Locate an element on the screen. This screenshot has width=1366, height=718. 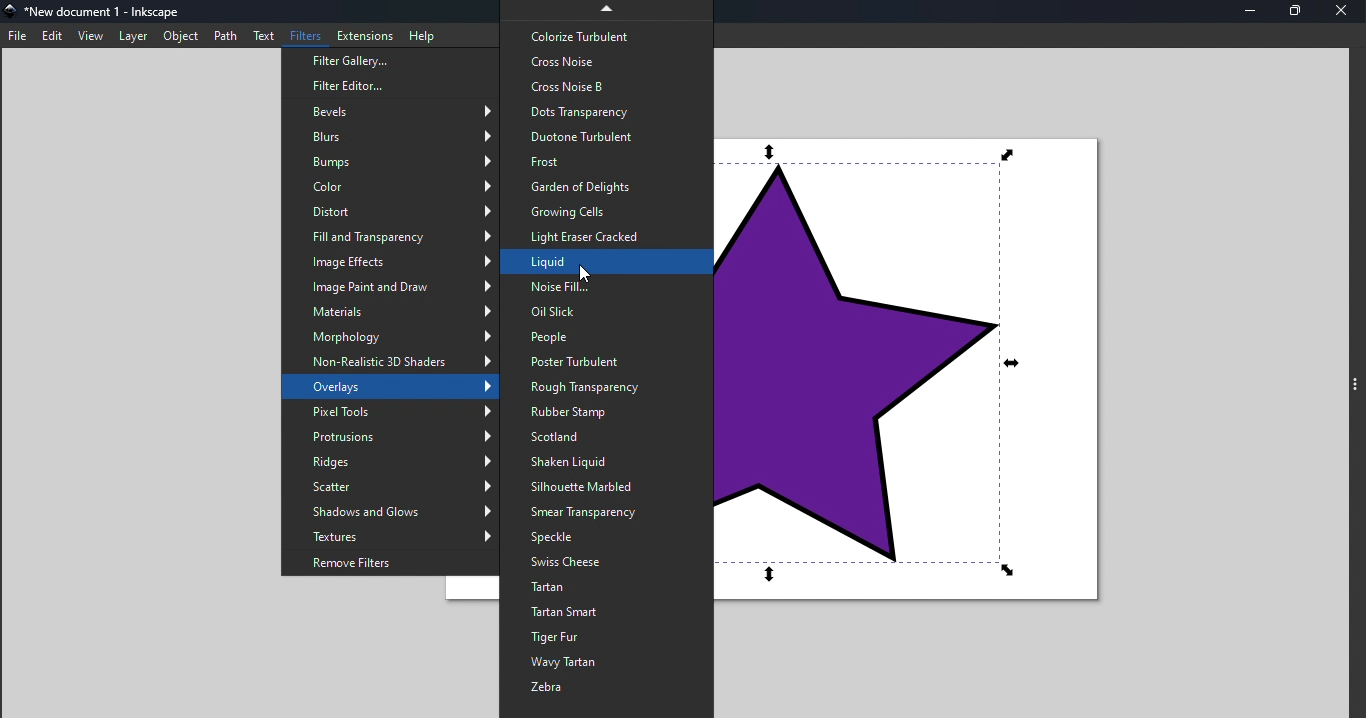
Color is located at coordinates (386, 188).